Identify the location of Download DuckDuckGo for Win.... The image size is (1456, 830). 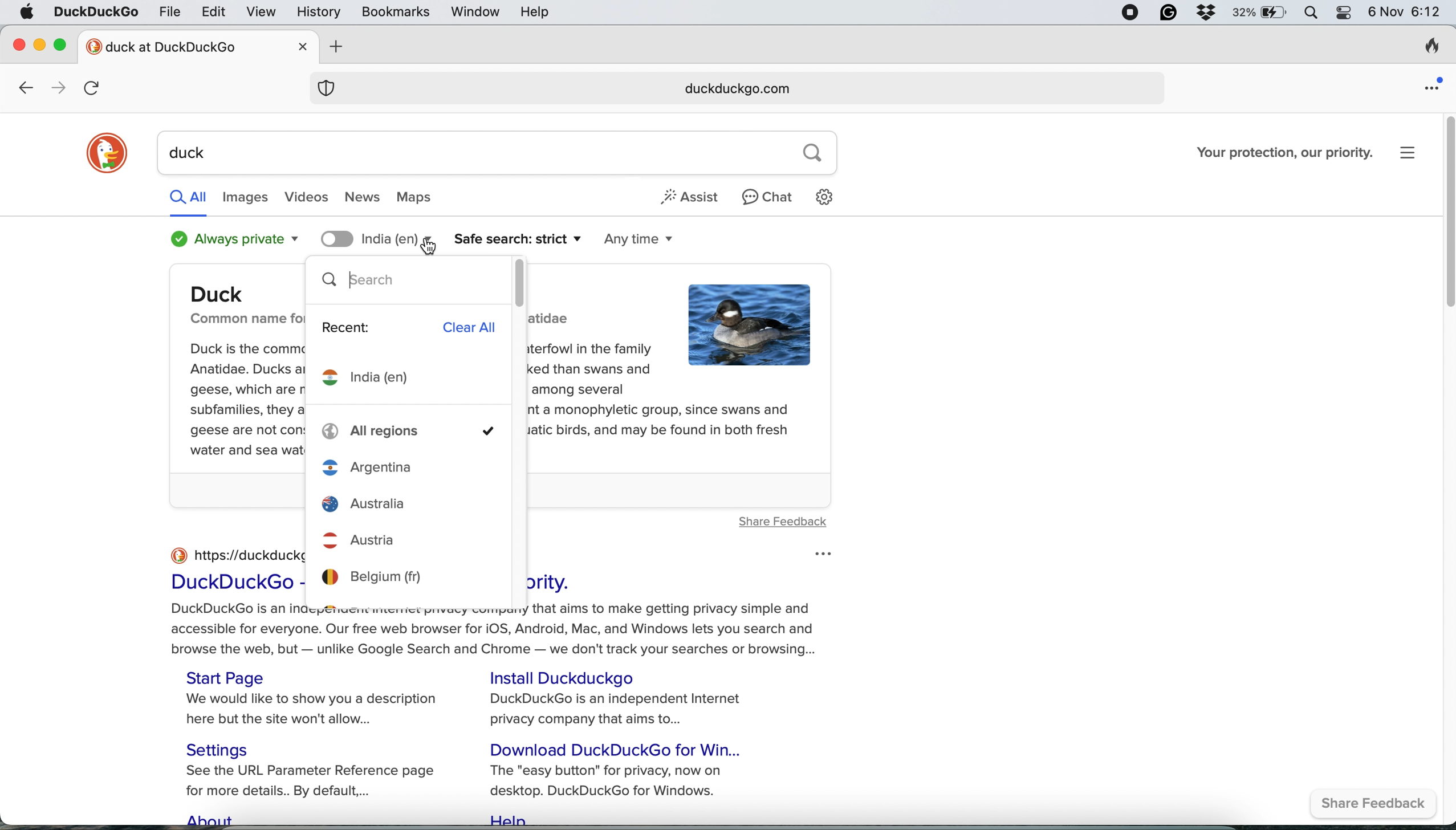
(621, 748).